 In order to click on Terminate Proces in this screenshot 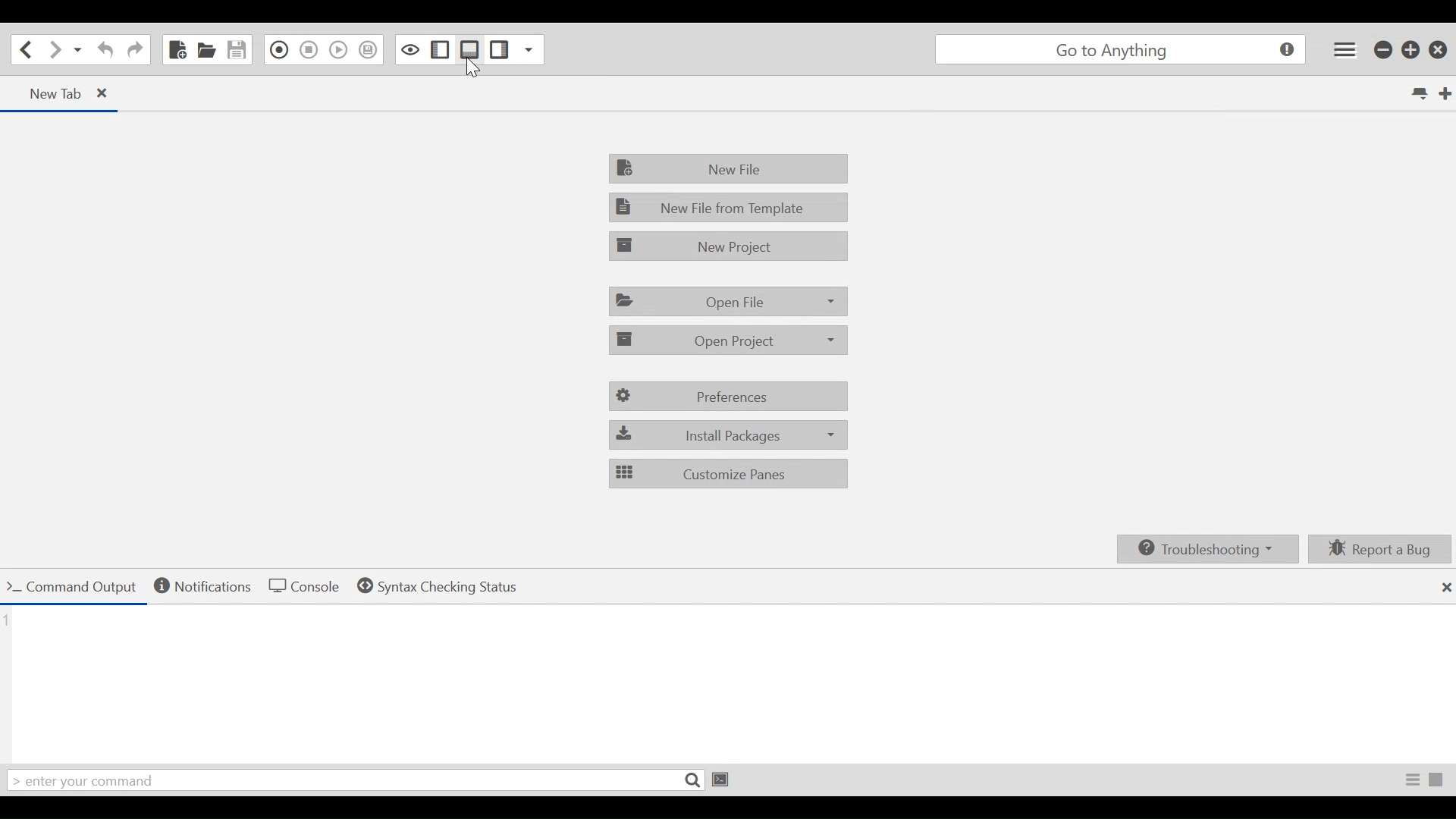, I will do `click(1437, 780)`.